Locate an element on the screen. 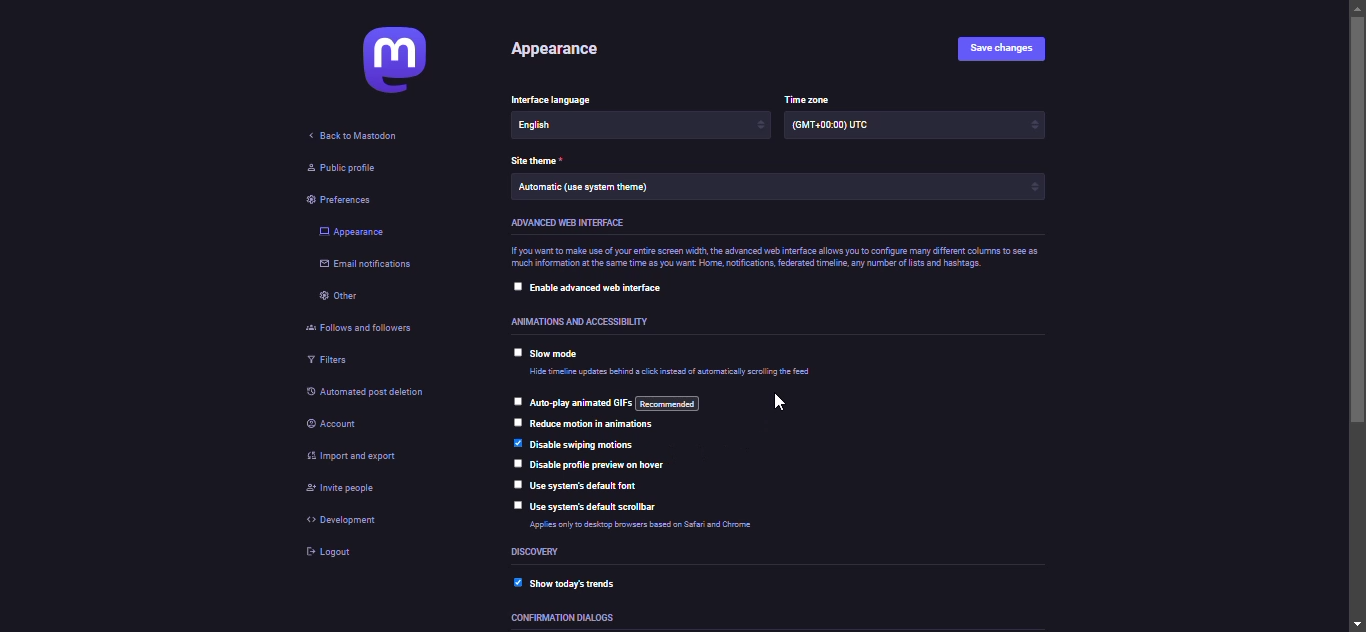 This screenshot has height=632, width=1366. click to select is located at coordinates (514, 461).